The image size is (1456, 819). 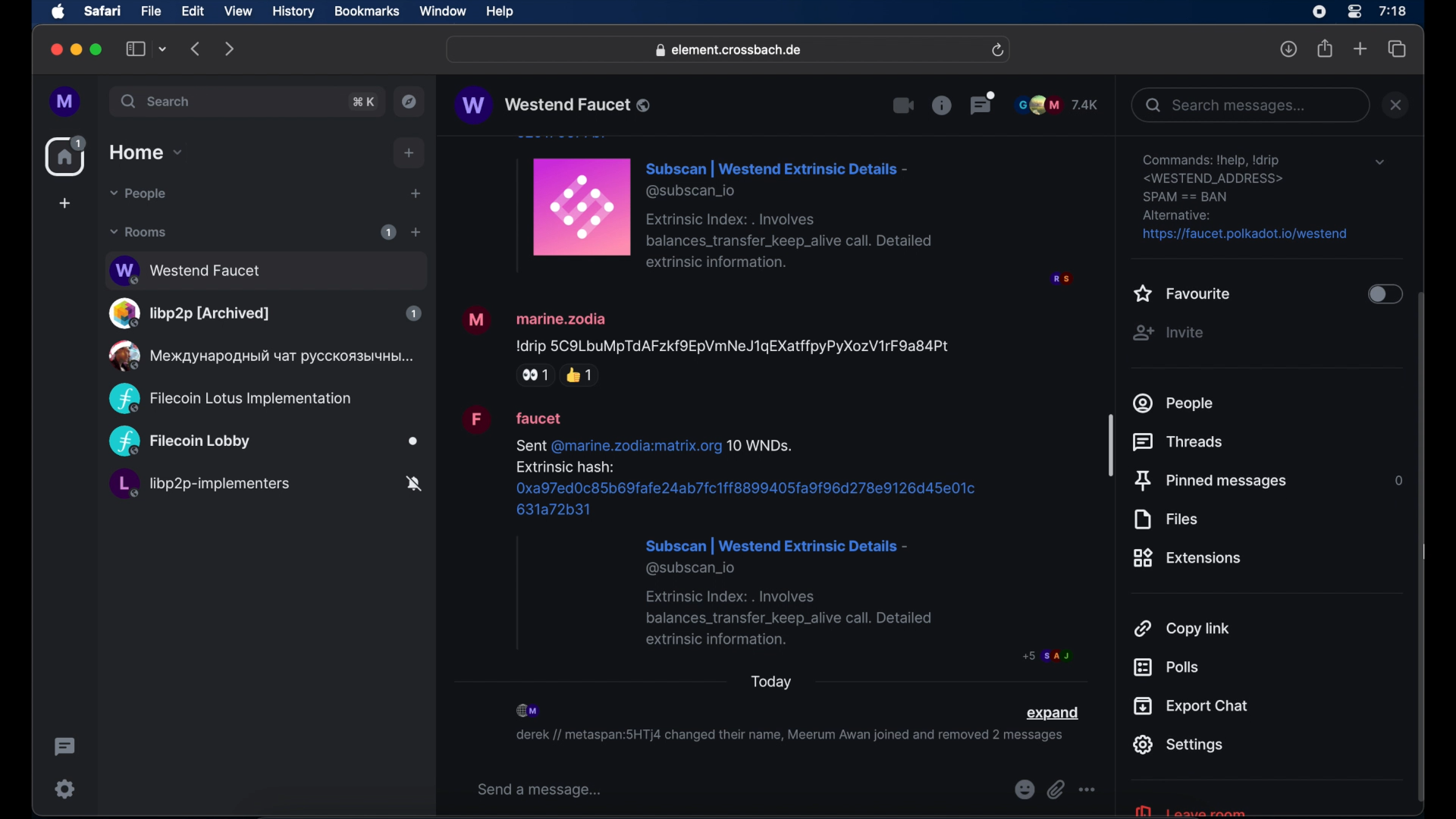 What do you see at coordinates (1175, 403) in the screenshot?
I see `people` at bounding box center [1175, 403].